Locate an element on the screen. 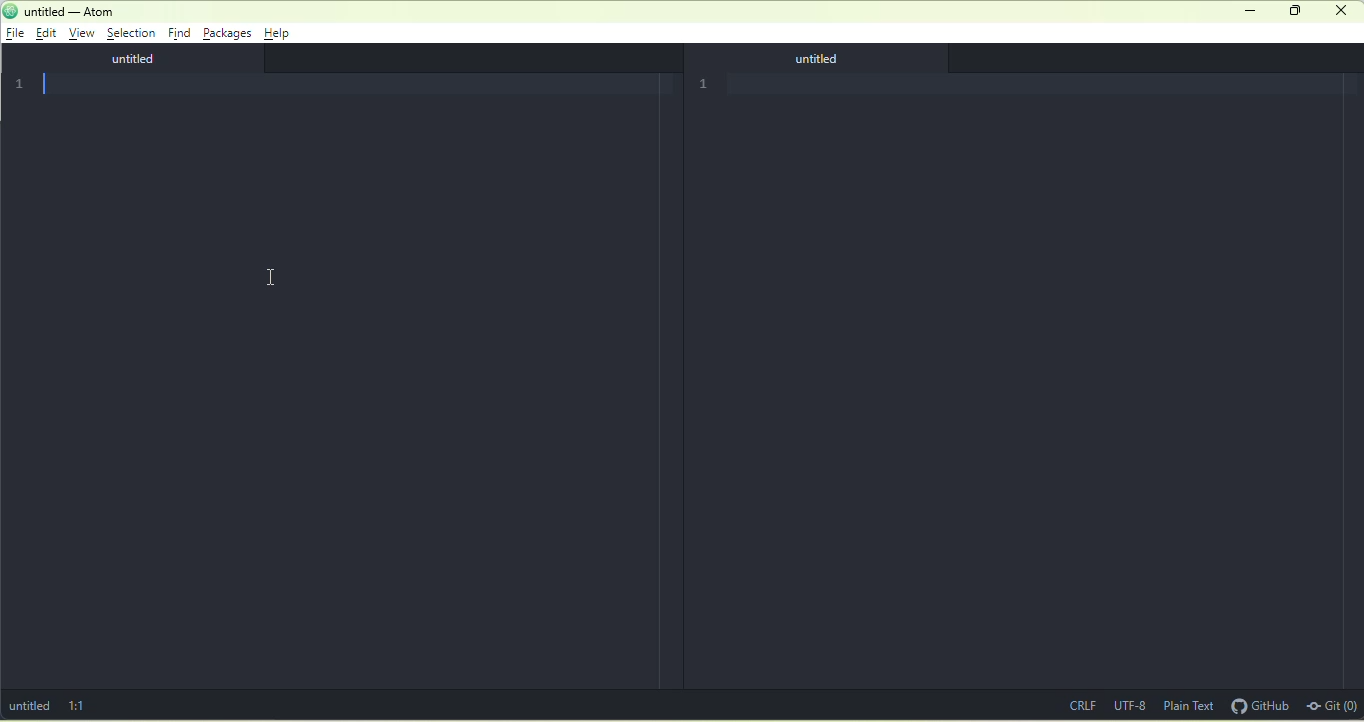 The height and width of the screenshot is (722, 1364). CRLF is located at coordinates (1078, 704).